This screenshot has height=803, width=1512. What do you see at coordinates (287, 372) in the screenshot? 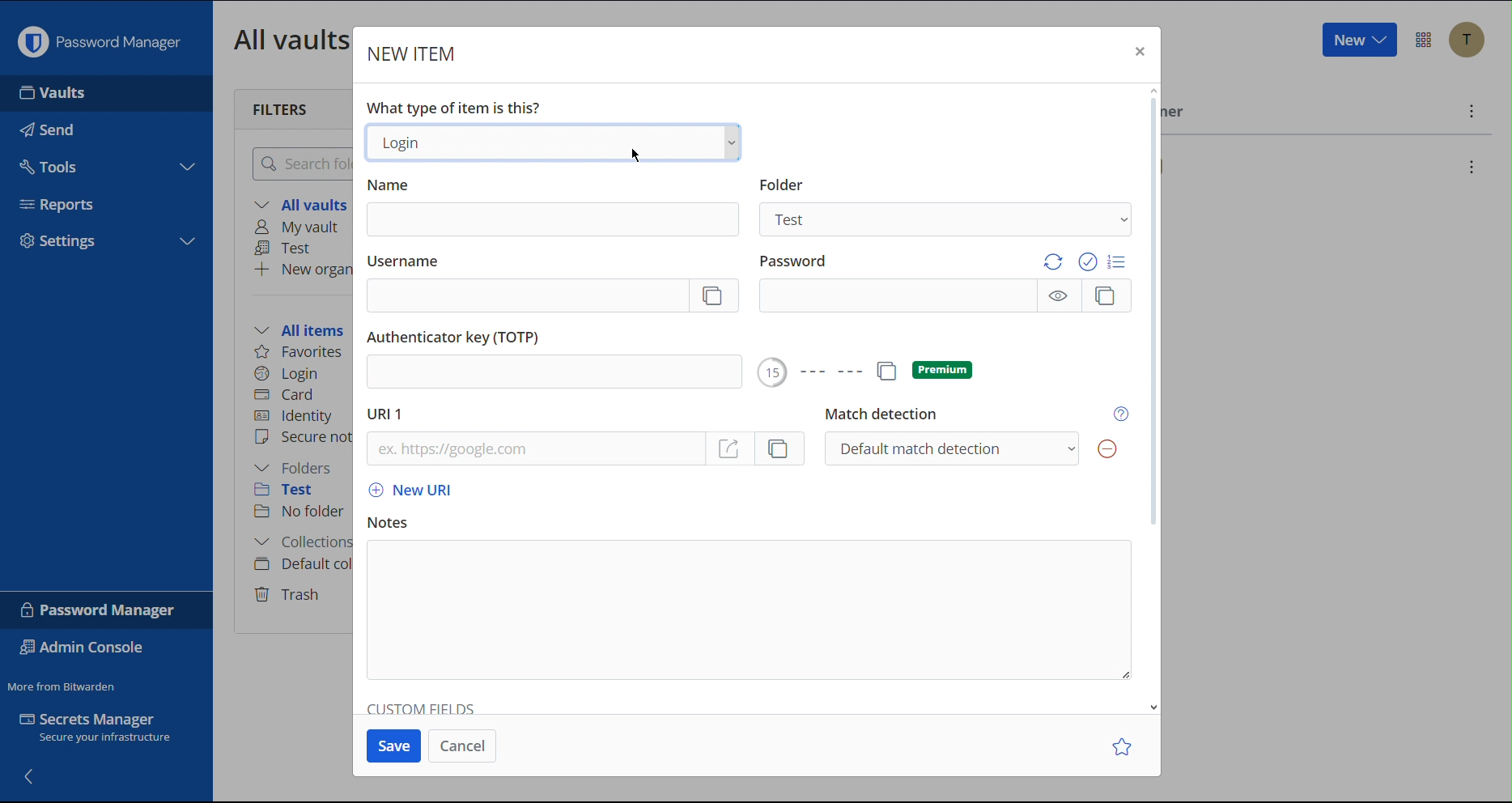
I see `Login` at bounding box center [287, 372].